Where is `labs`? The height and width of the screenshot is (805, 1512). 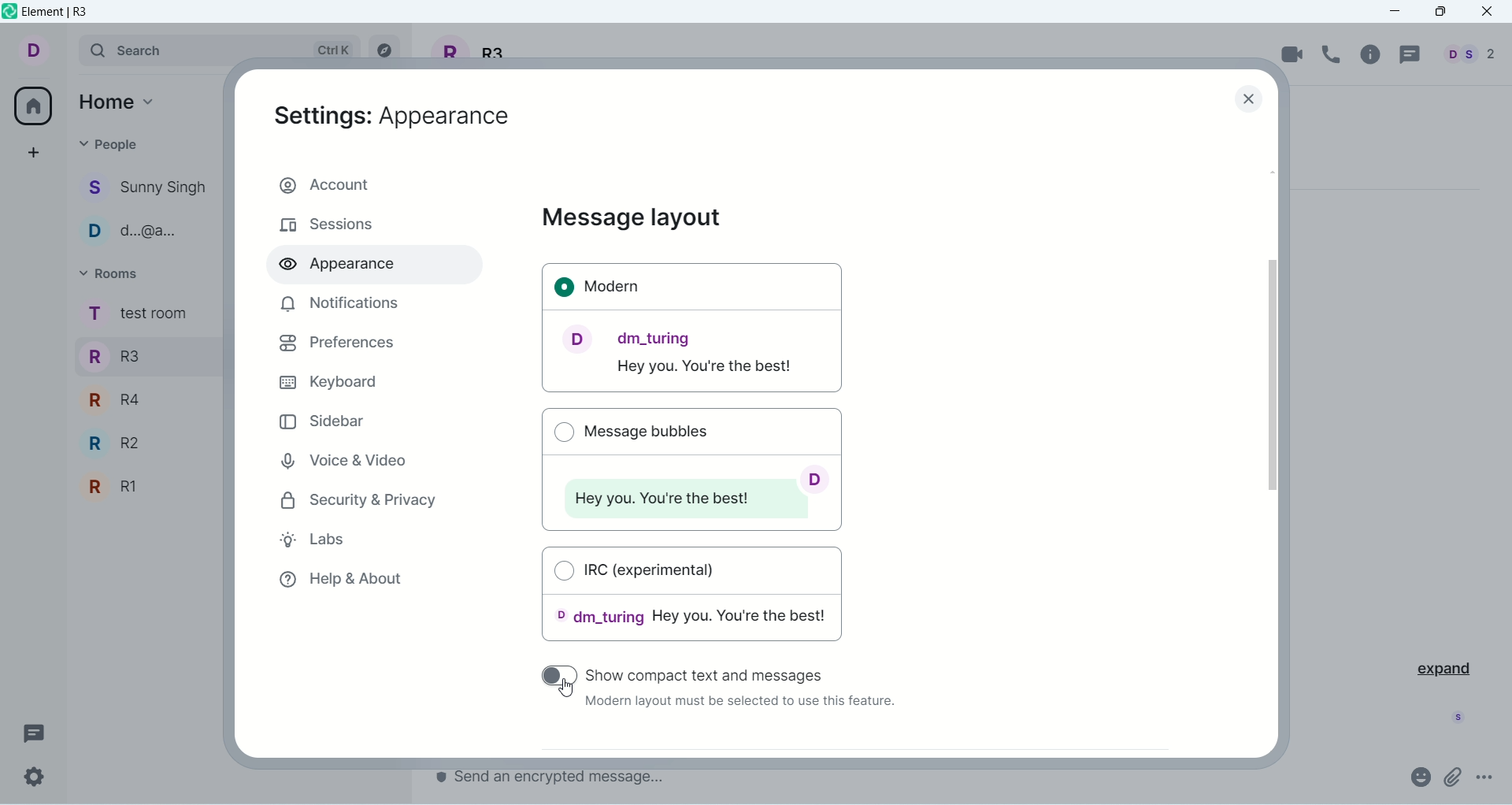
labs is located at coordinates (321, 542).